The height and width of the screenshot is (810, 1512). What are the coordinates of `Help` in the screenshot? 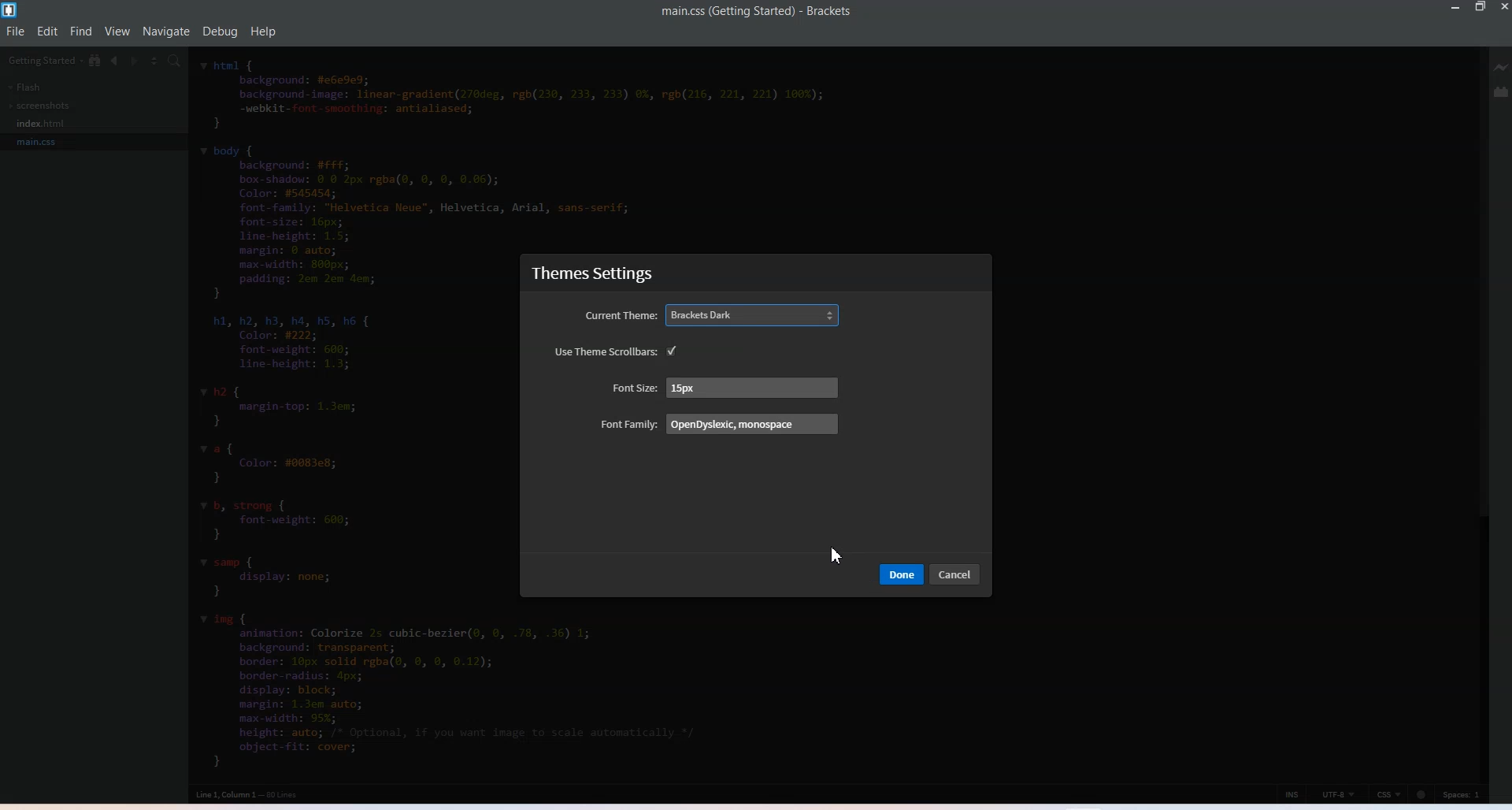 It's located at (264, 32).